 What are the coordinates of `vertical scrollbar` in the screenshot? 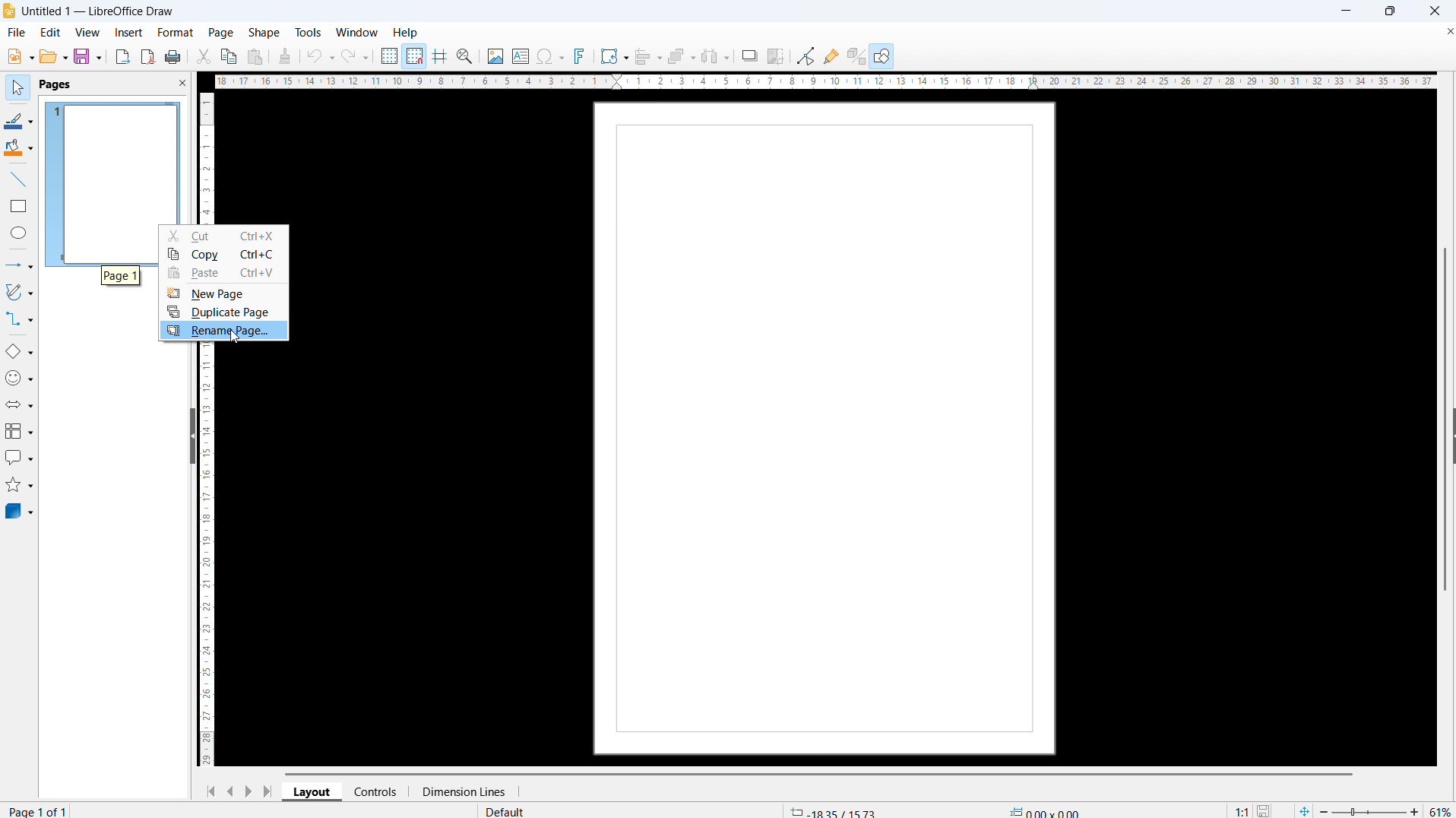 It's located at (1450, 311).